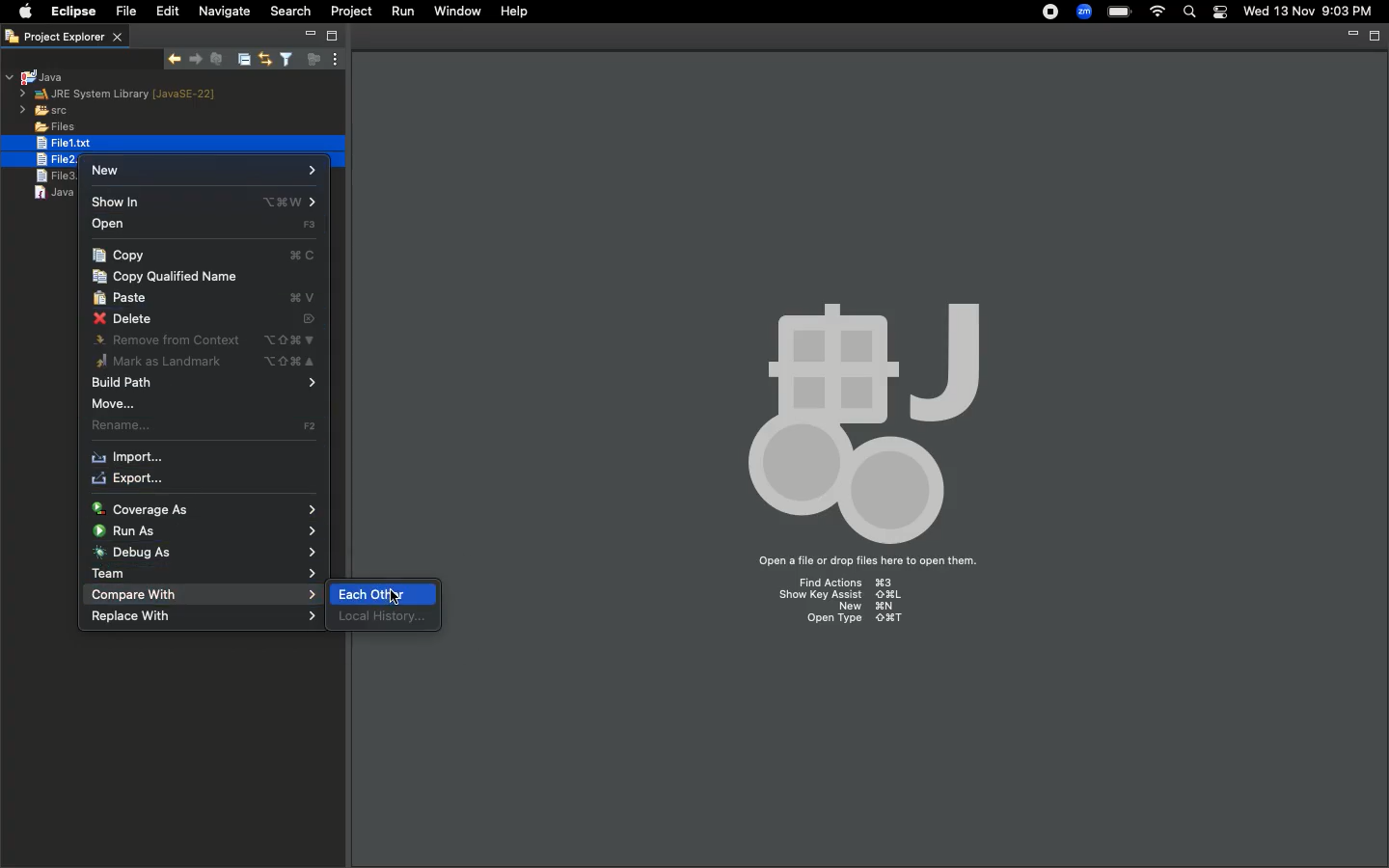 This screenshot has height=868, width=1389. What do you see at coordinates (54, 198) in the screenshot?
I see `java` at bounding box center [54, 198].